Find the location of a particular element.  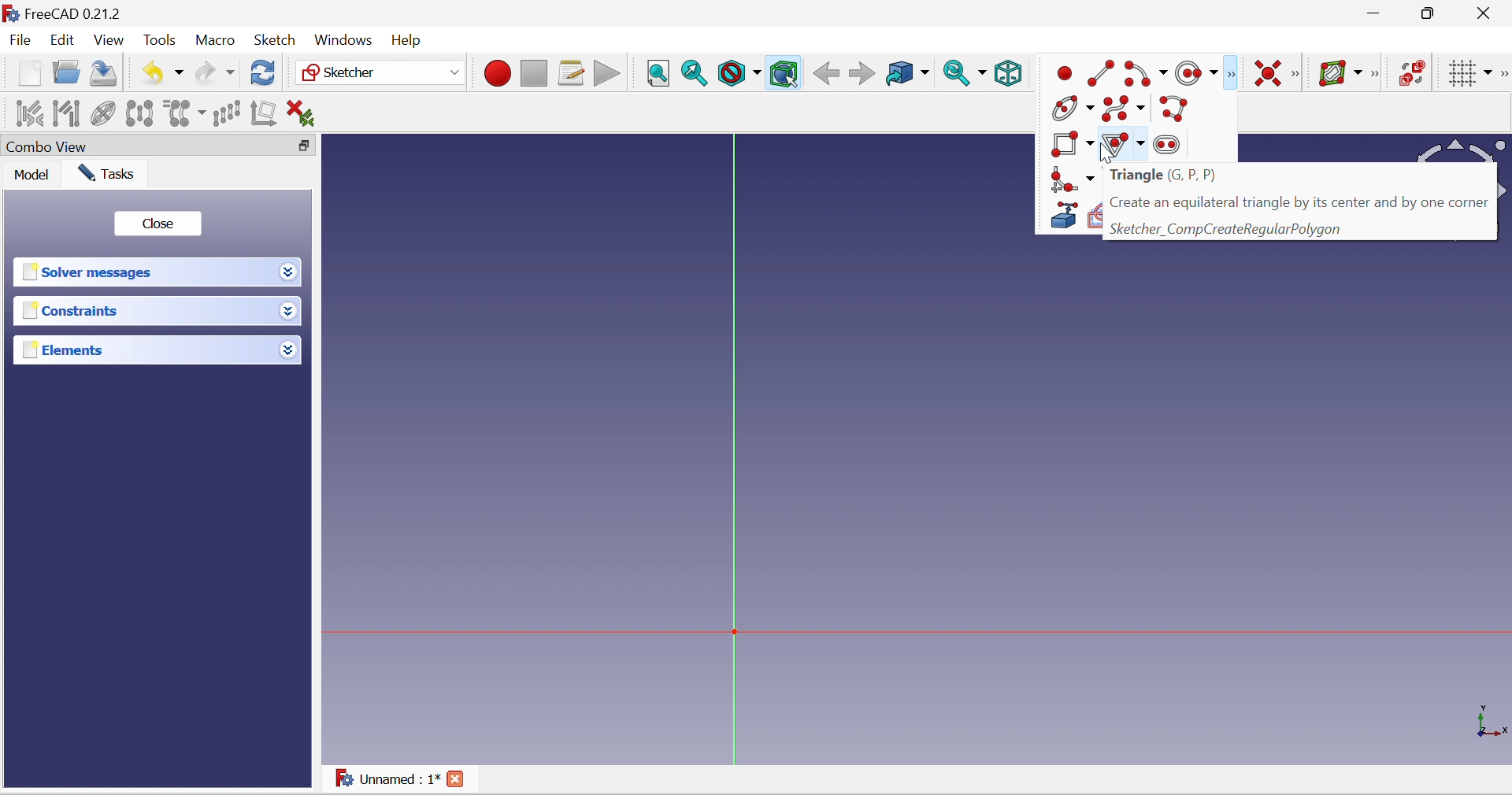

Tools is located at coordinates (158, 39).